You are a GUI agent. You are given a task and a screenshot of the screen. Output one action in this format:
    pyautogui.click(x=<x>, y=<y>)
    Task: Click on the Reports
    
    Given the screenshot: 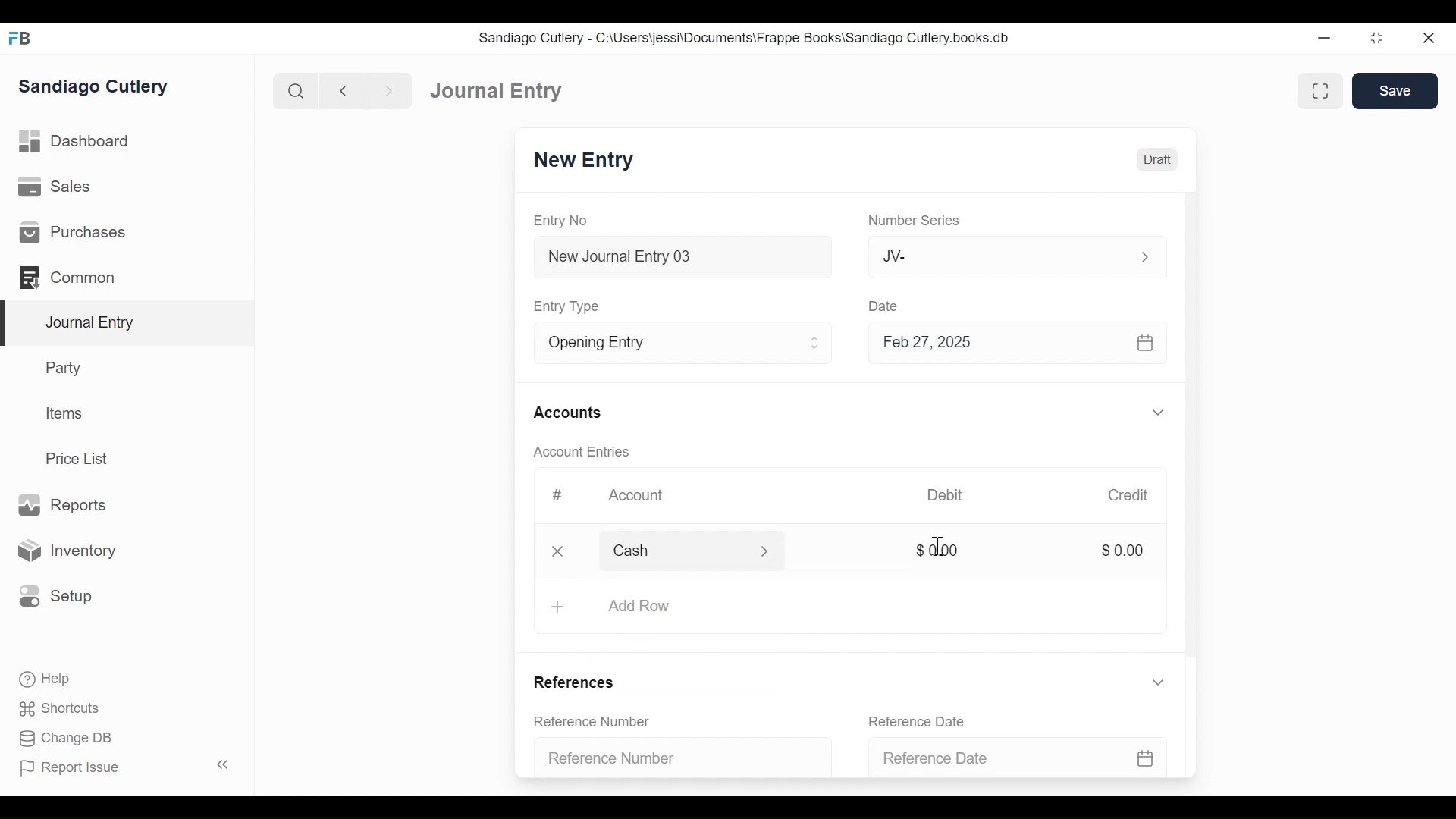 What is the action you would take?
    pyautogui.click(x=67, y=505)
    